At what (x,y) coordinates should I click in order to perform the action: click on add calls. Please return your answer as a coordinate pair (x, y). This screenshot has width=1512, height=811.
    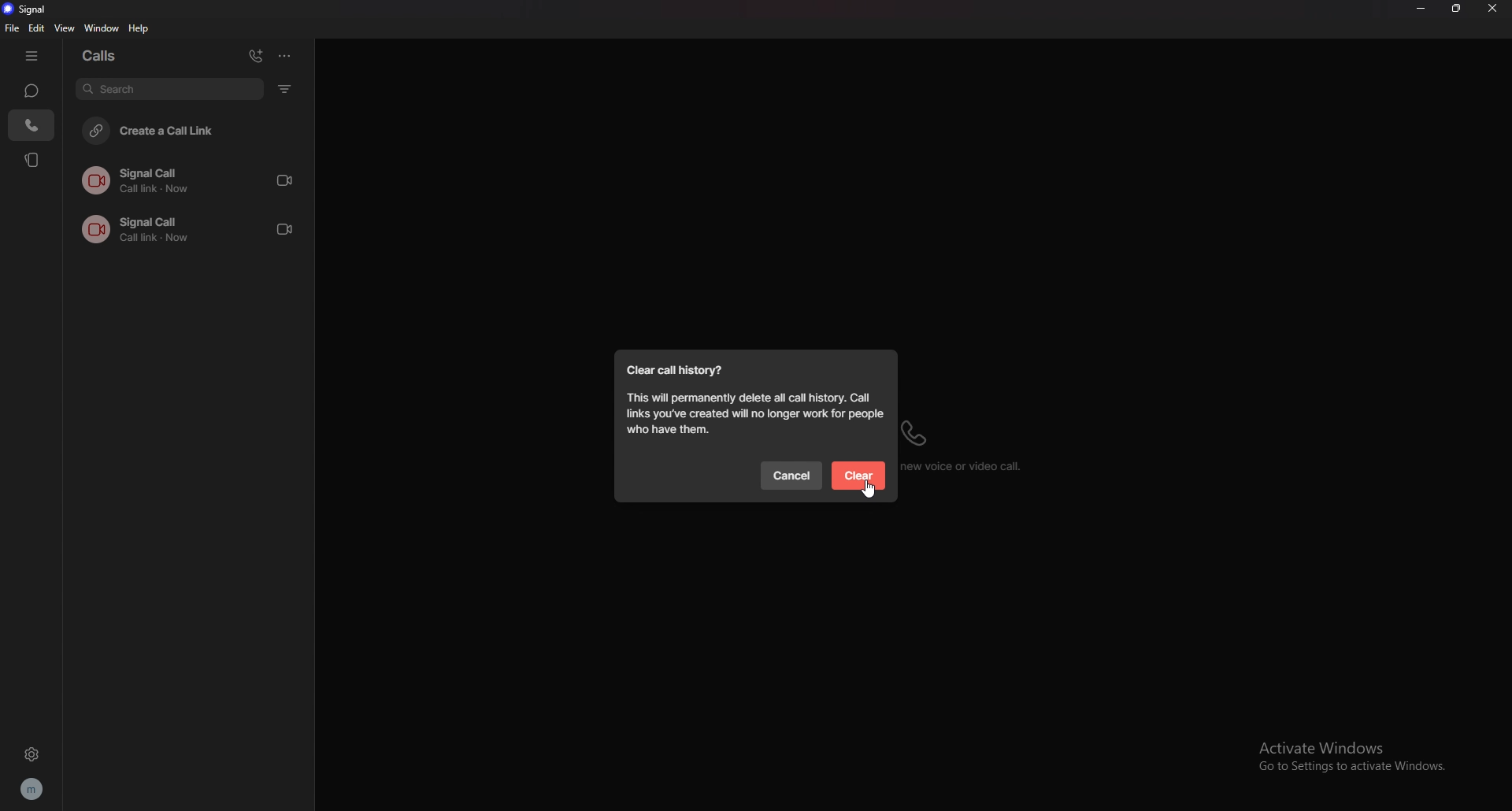
    Looking at the image, I should click on (256, 56).